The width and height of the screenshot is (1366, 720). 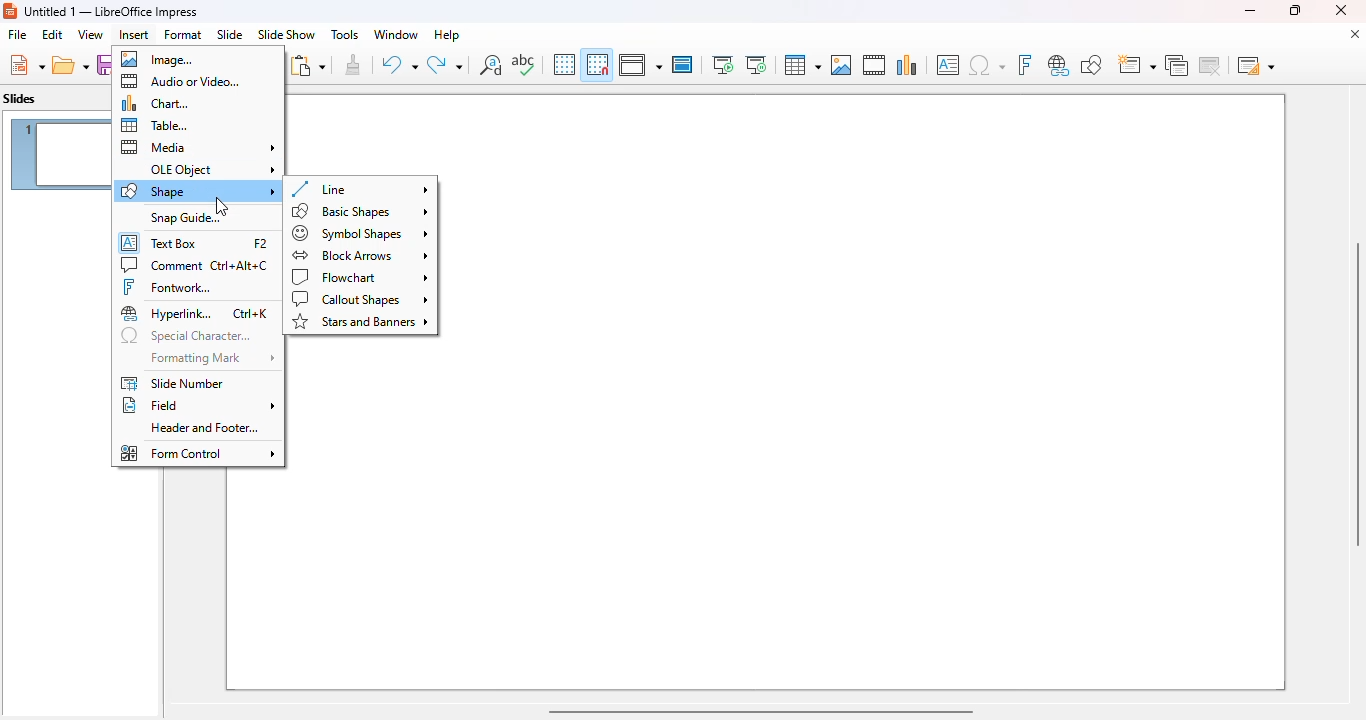 What do you see at coordinates (759, 710) in the screenshot?
I see `horizontal scroll bar` at bounding box center [759, 710].